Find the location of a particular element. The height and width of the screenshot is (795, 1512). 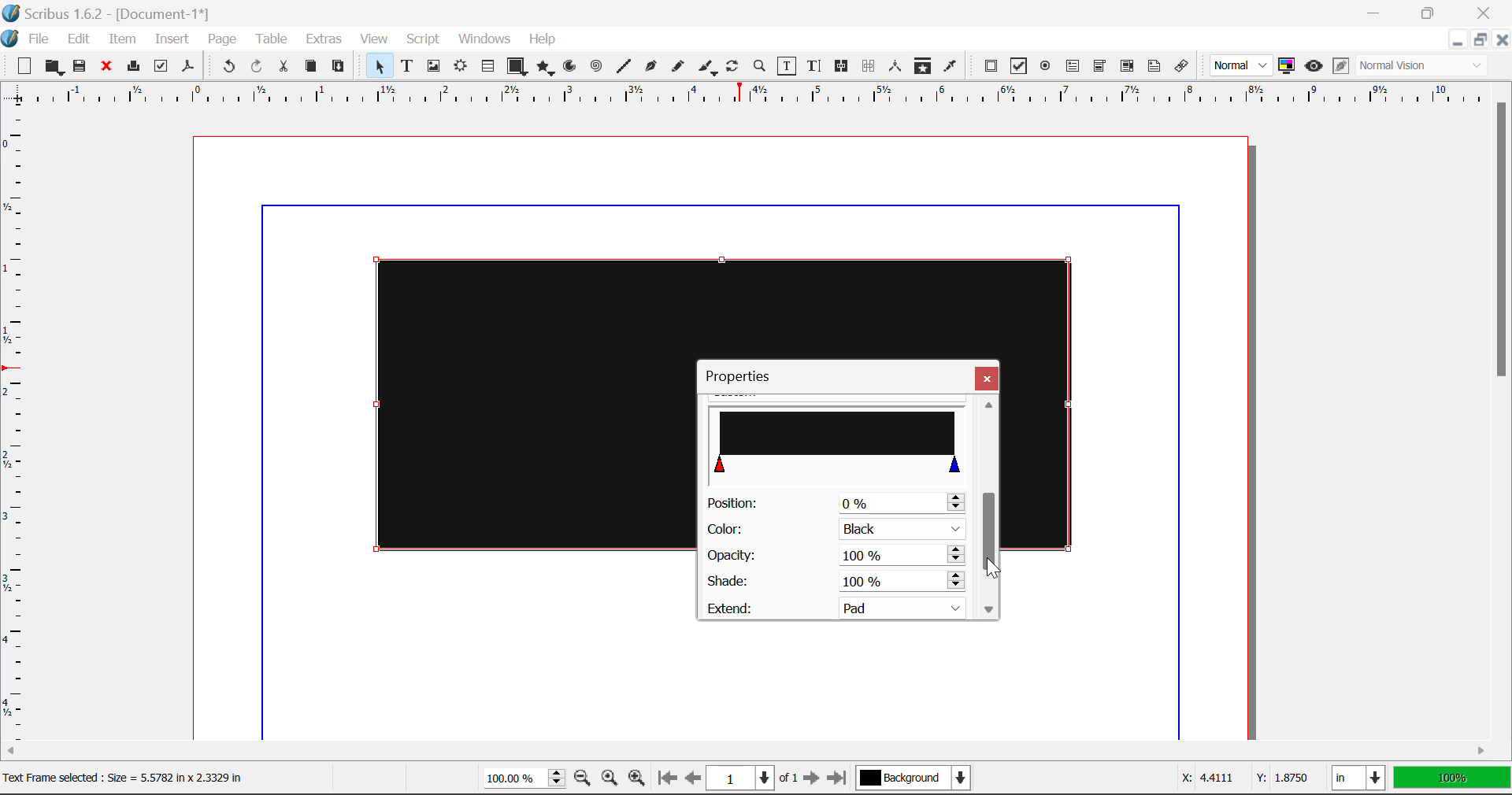

Save as Pdf is located at coordinates (188, 68).